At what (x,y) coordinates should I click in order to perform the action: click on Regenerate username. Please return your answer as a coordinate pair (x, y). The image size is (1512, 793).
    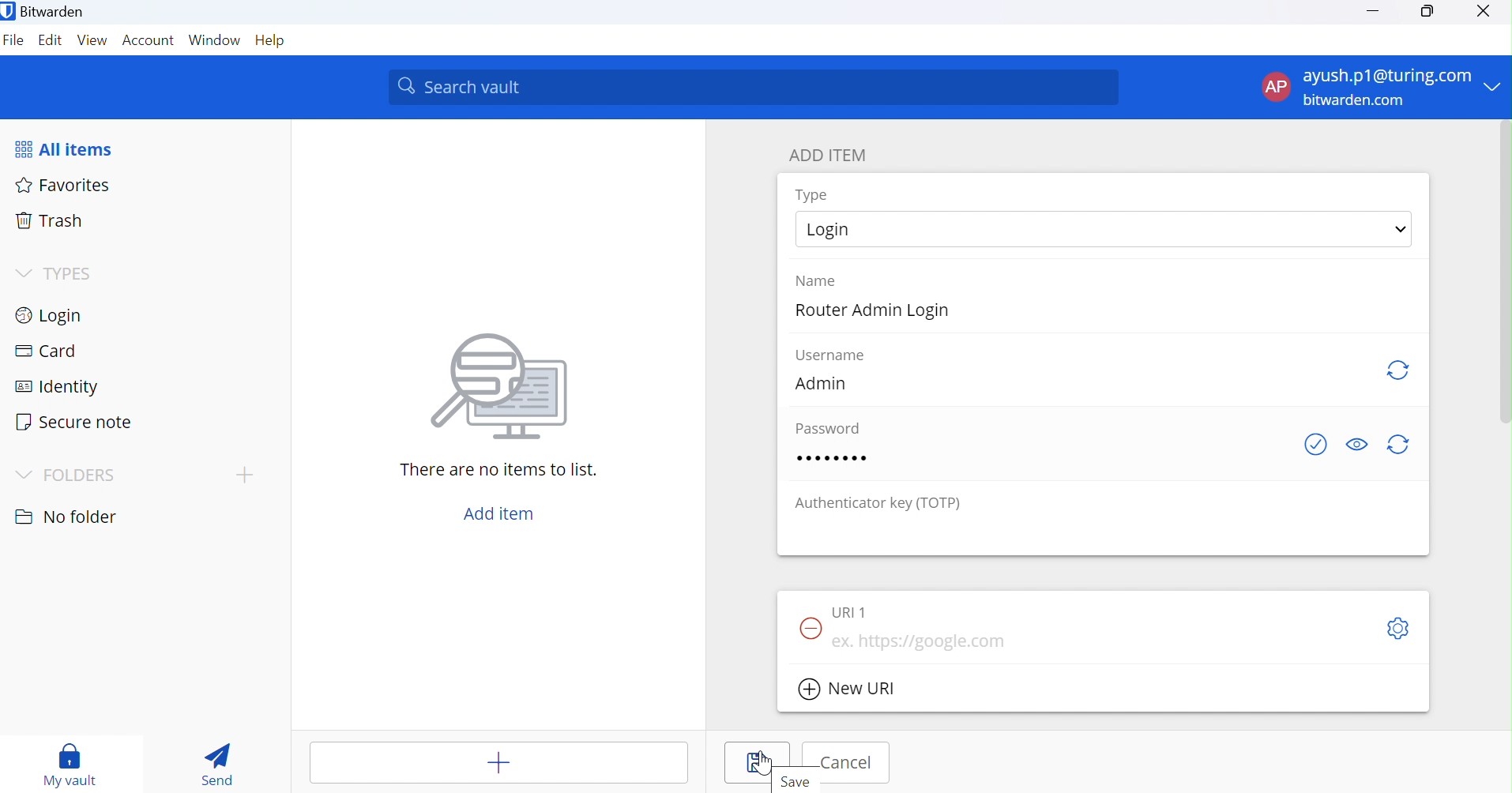
    Looking at the image, I should click on (1397, 371).